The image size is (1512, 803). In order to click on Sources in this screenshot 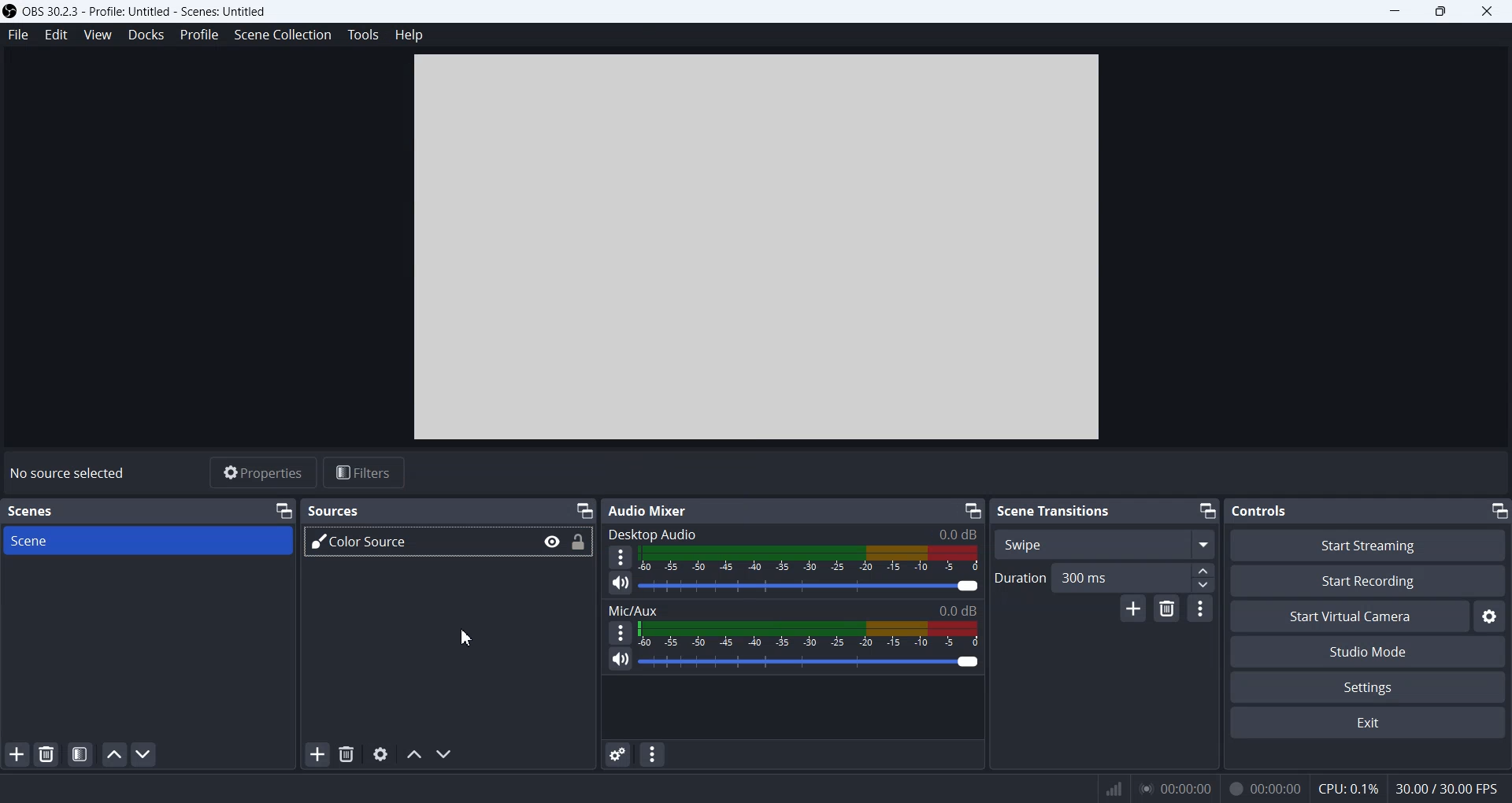, I will do `click(332, 511)`.